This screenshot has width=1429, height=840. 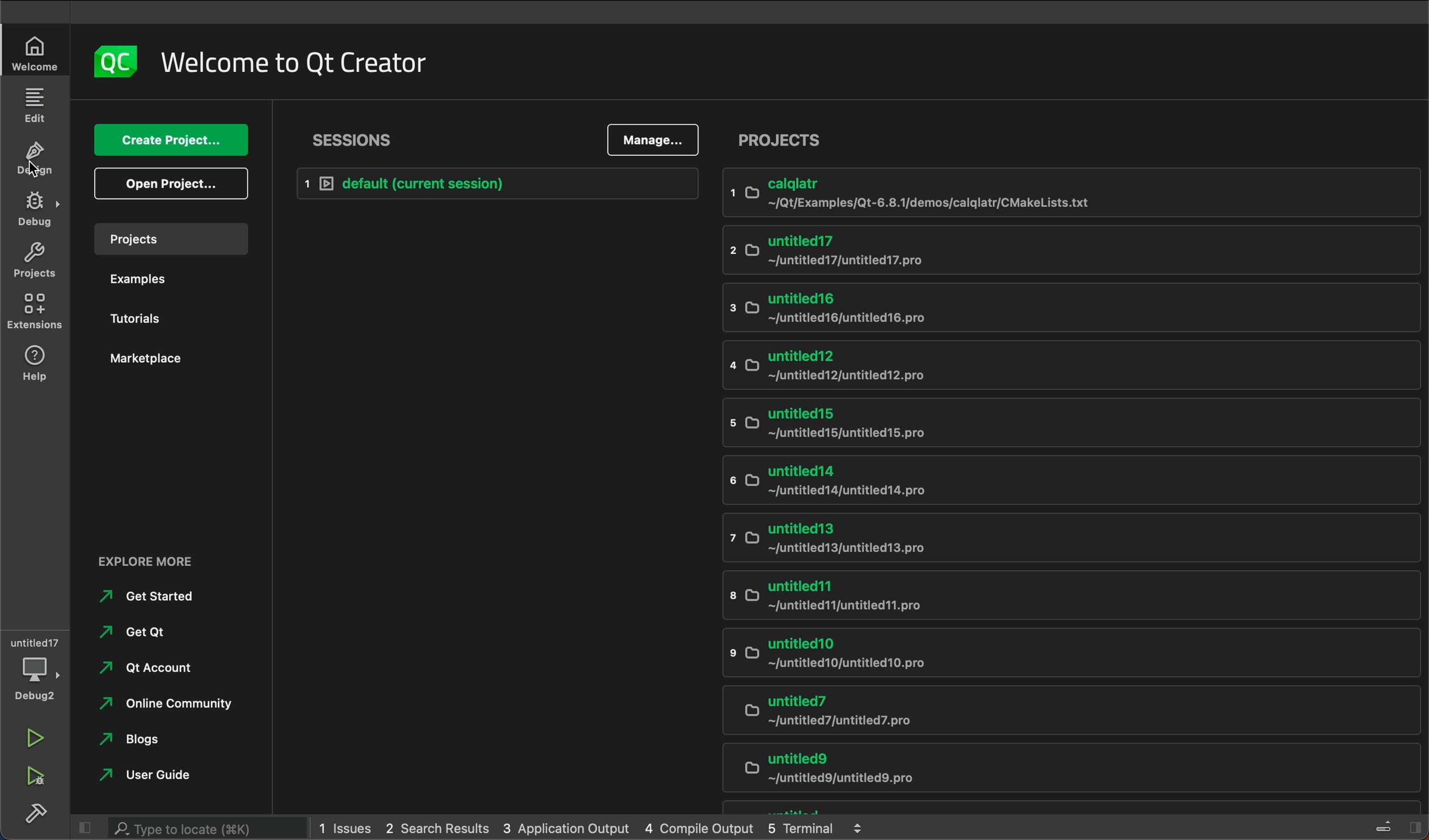 What do you see at coordinates (1012, 251) in the screenshot?
I see `untitled17` at bounding box center [1012, 251].